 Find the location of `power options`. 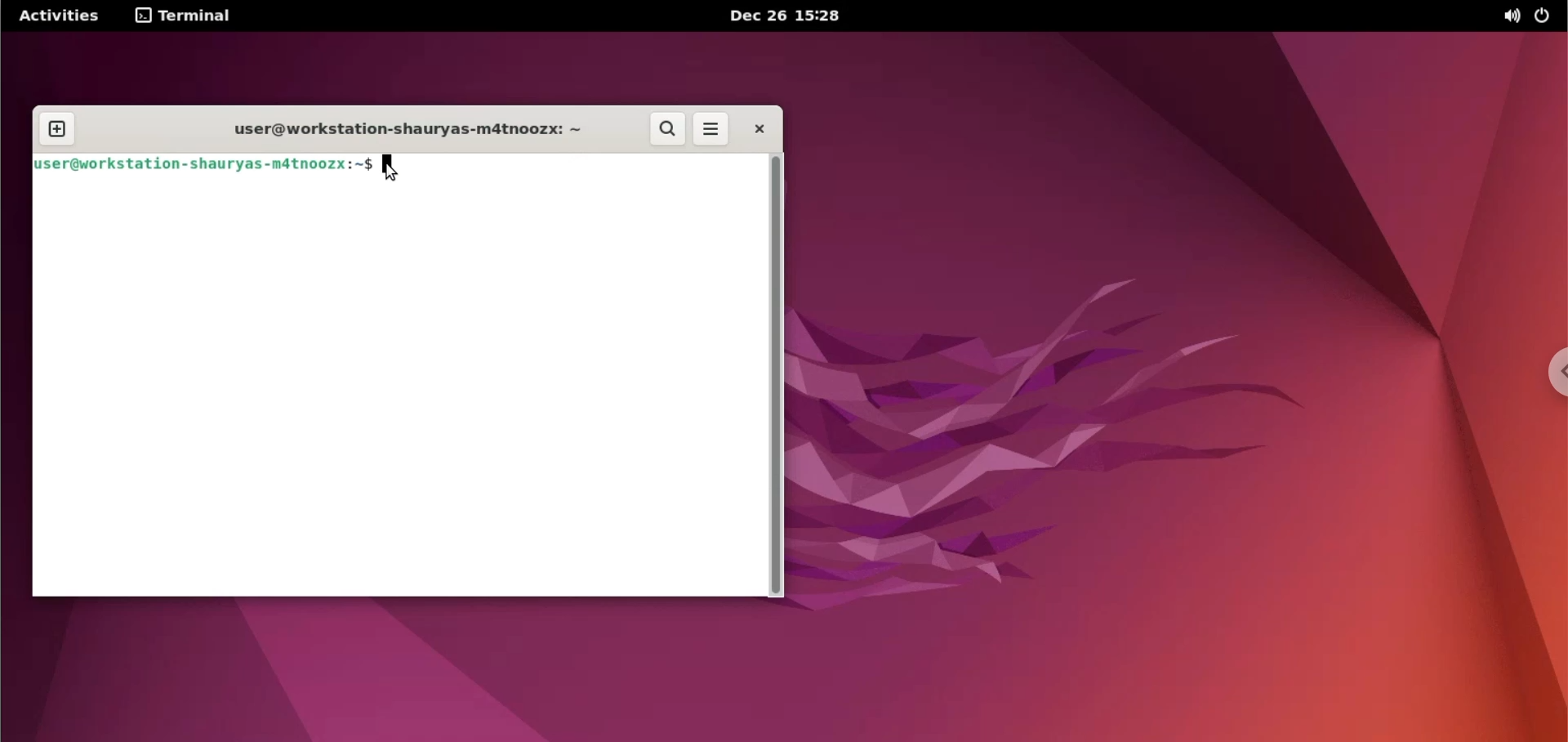

power options is located at coordinates (1541, 16).